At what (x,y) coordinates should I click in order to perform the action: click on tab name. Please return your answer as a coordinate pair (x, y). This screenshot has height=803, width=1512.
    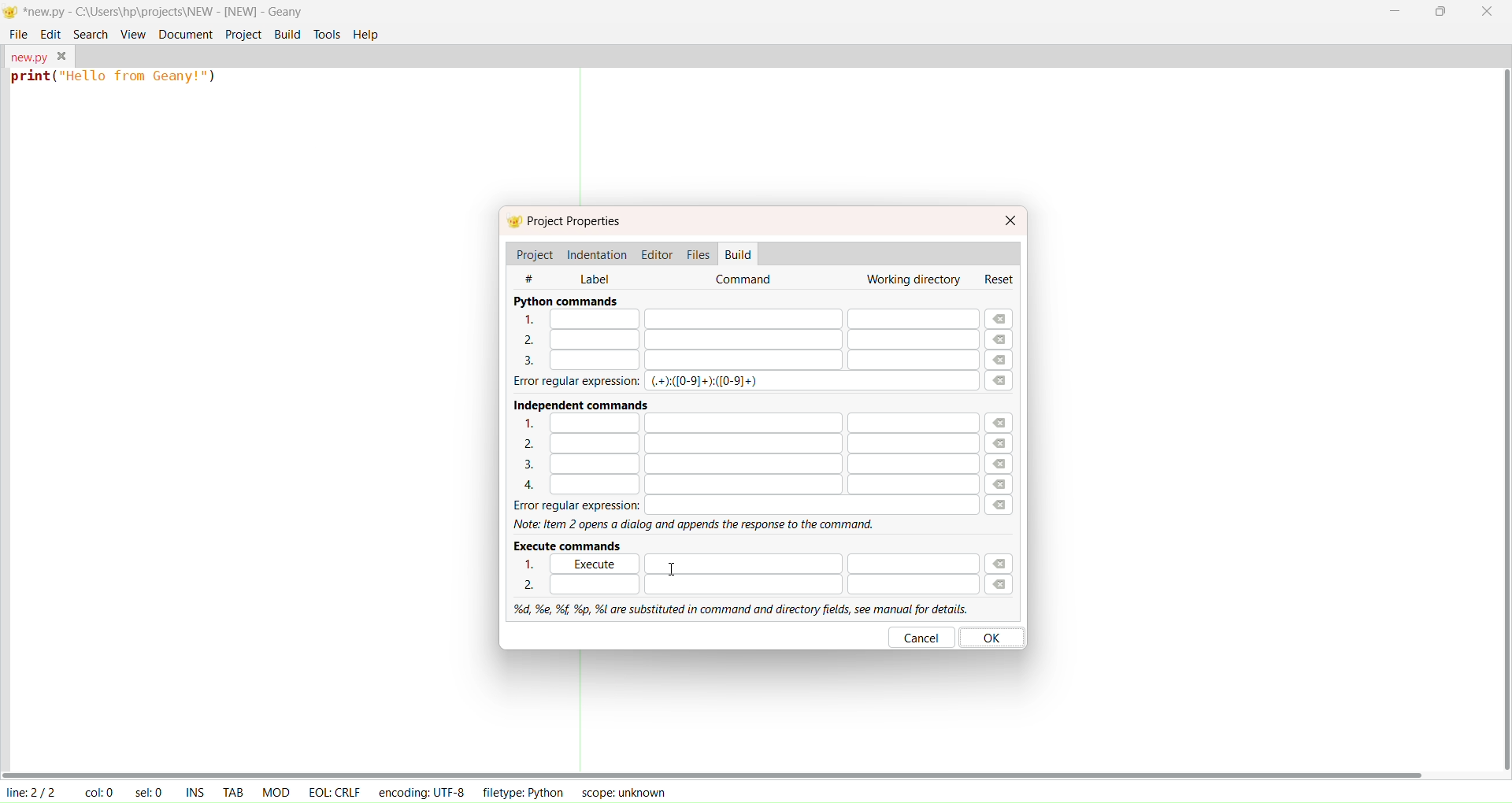
    Looking at the image, I should click on (27, 55).